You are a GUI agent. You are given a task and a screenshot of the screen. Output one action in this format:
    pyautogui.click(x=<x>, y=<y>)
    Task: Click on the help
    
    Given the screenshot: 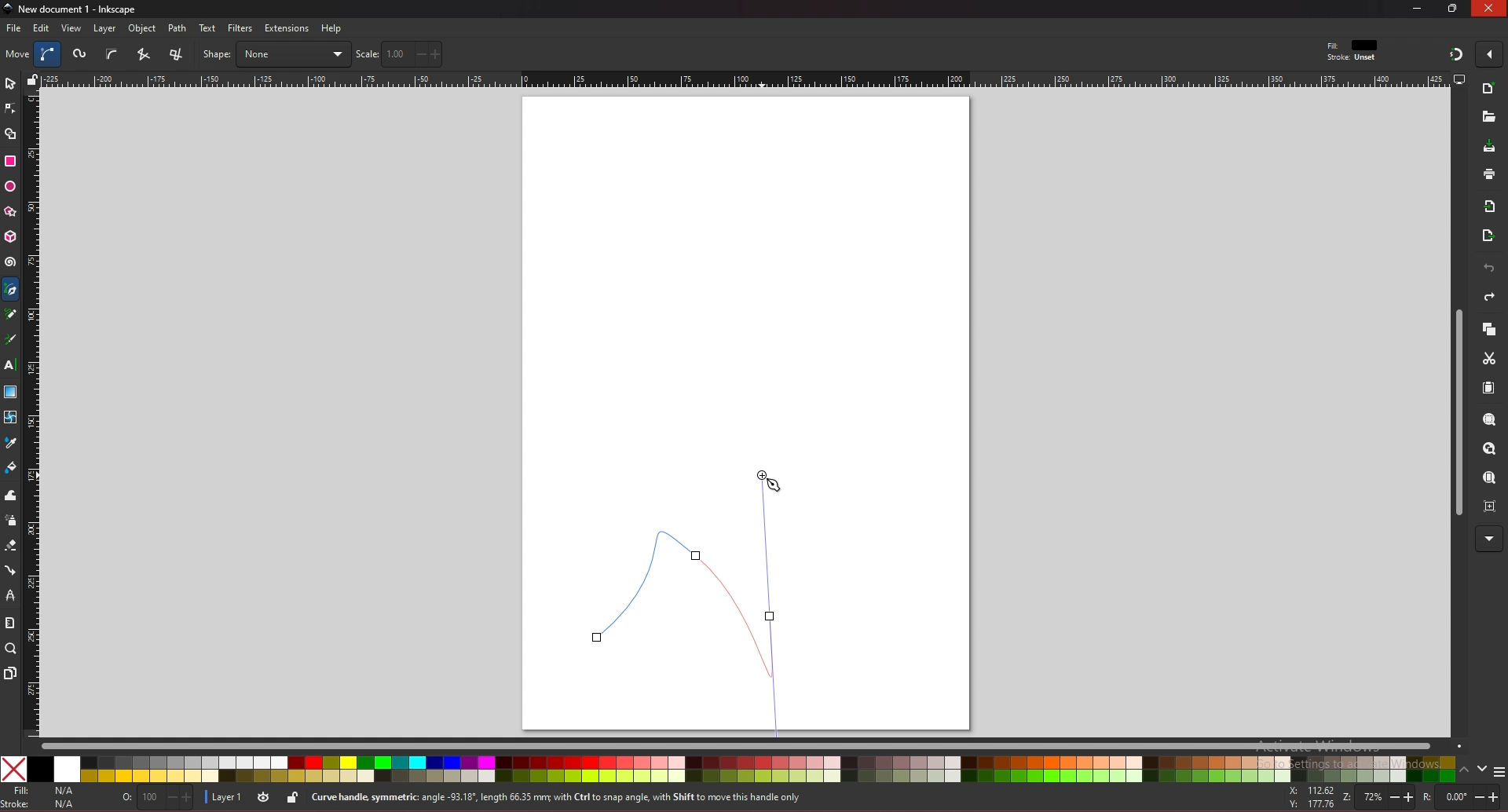 What is the action you would take?
    pyautogui.click(x=332, y=28)
    